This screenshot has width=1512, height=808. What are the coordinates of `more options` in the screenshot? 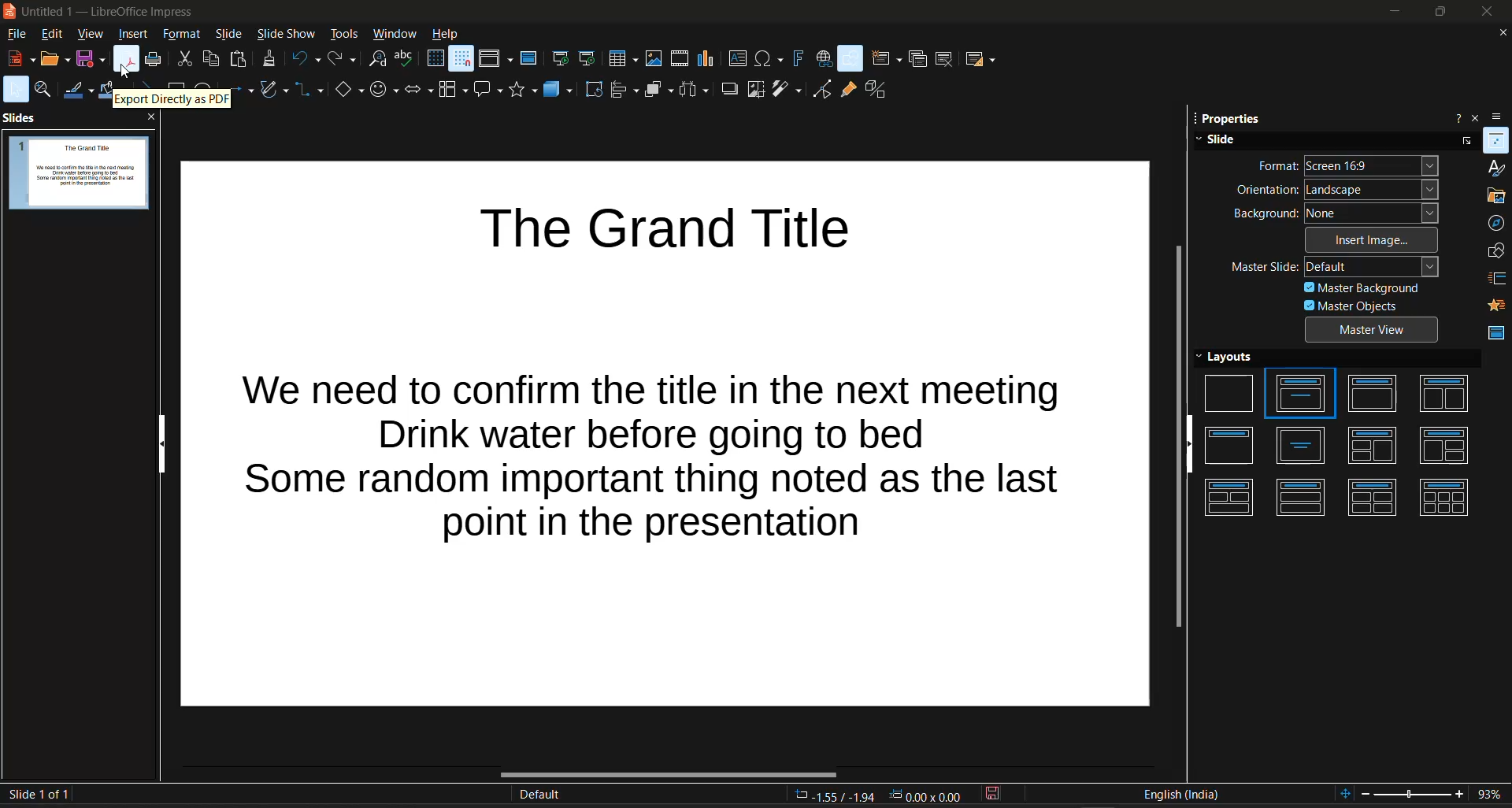 It's located at (1463, 142).